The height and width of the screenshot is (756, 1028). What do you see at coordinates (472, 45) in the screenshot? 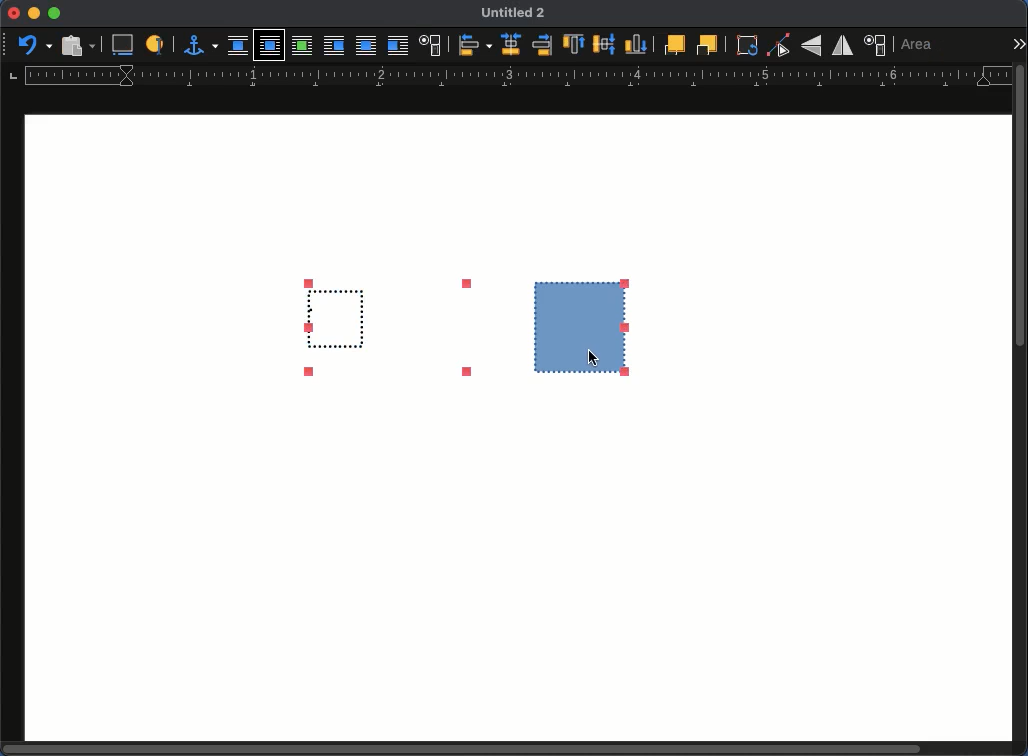
I see `align objects` at bounding box center [472, 45].